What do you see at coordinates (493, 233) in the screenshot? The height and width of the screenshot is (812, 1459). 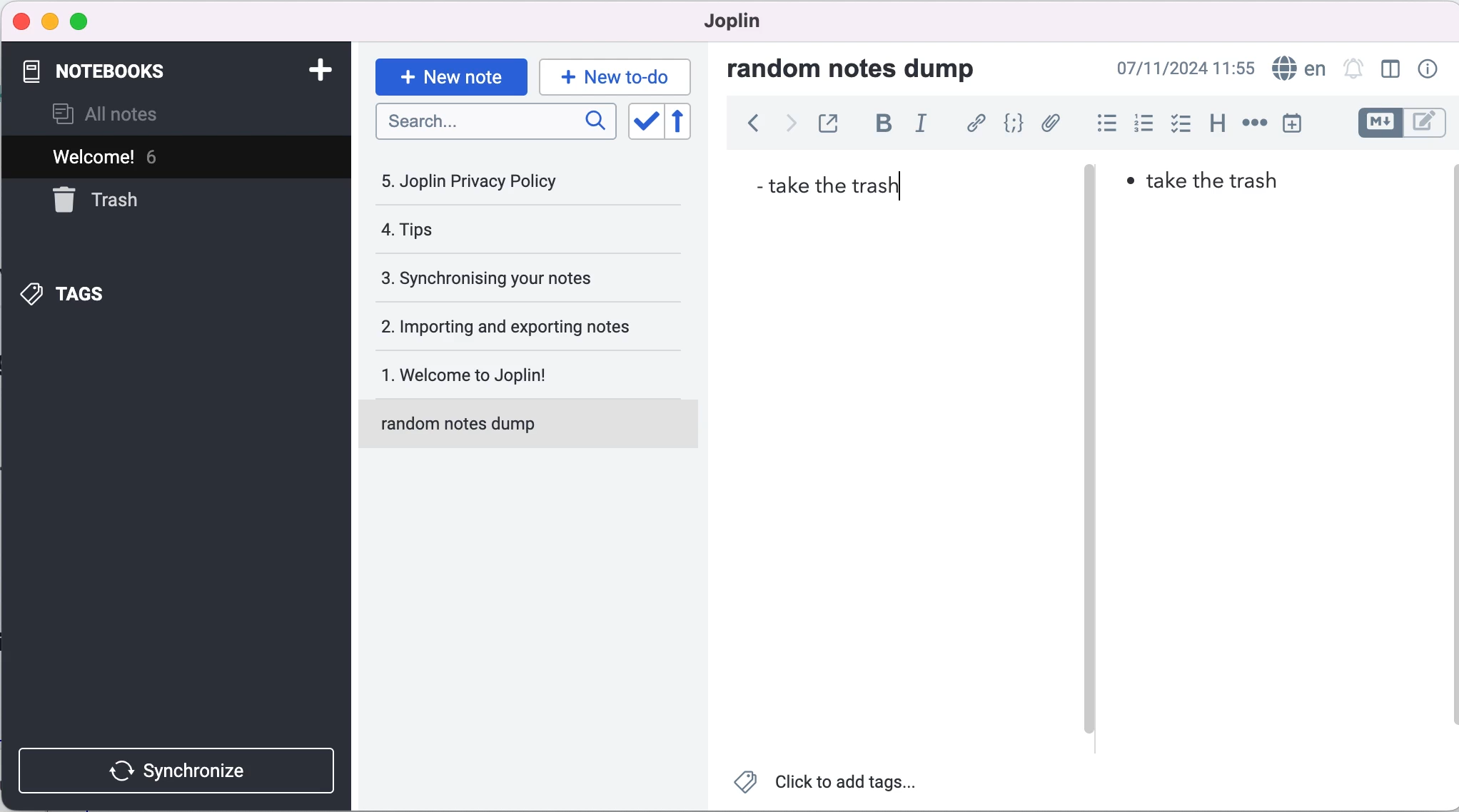 I see `tips` at bounding box center [493, 233].